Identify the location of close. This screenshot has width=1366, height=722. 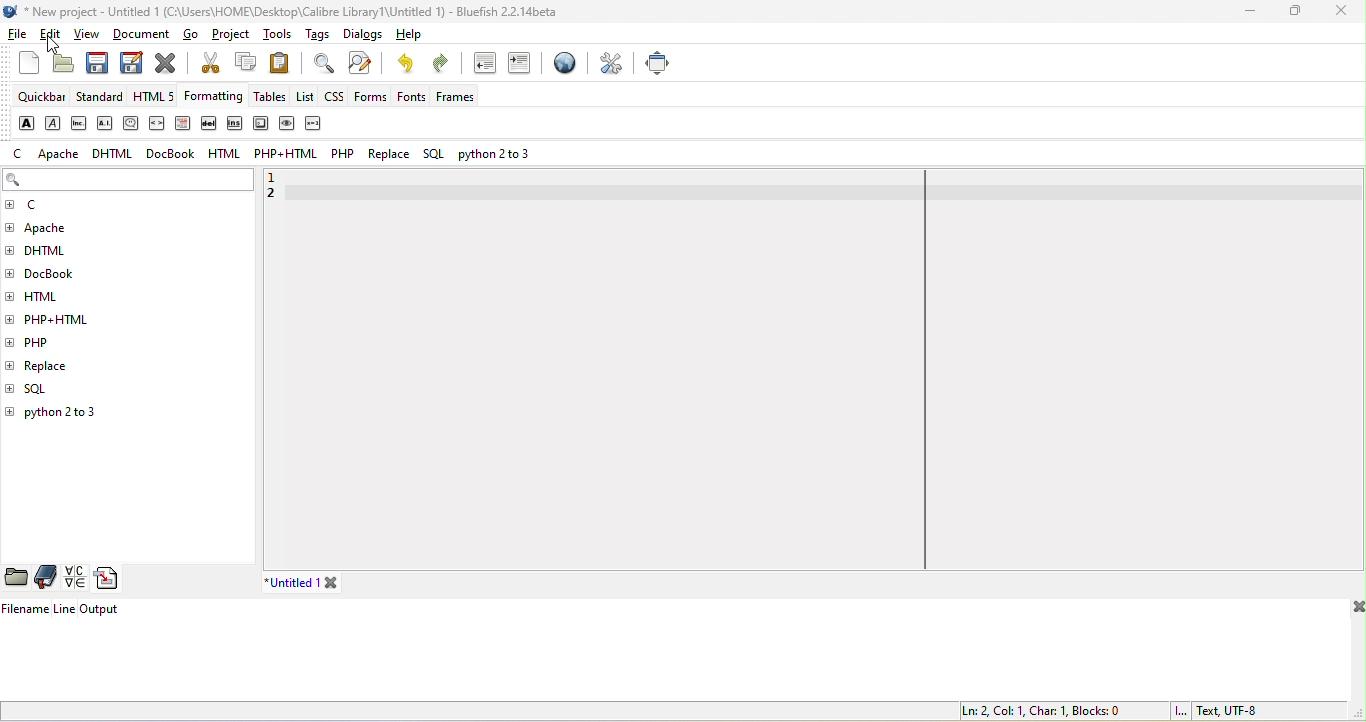
(1341, 12).